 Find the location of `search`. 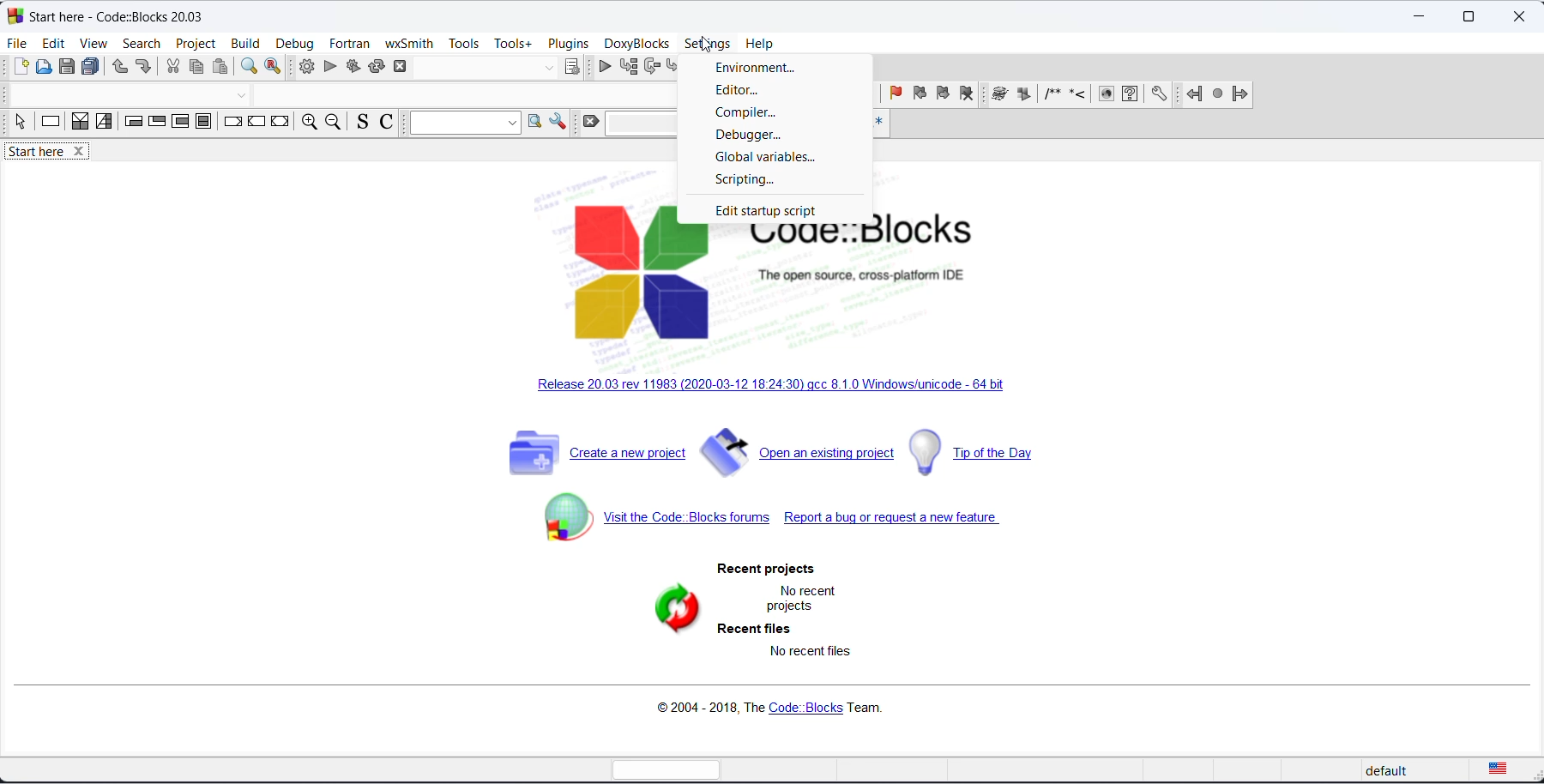

search is located at coordinates (535, 120).